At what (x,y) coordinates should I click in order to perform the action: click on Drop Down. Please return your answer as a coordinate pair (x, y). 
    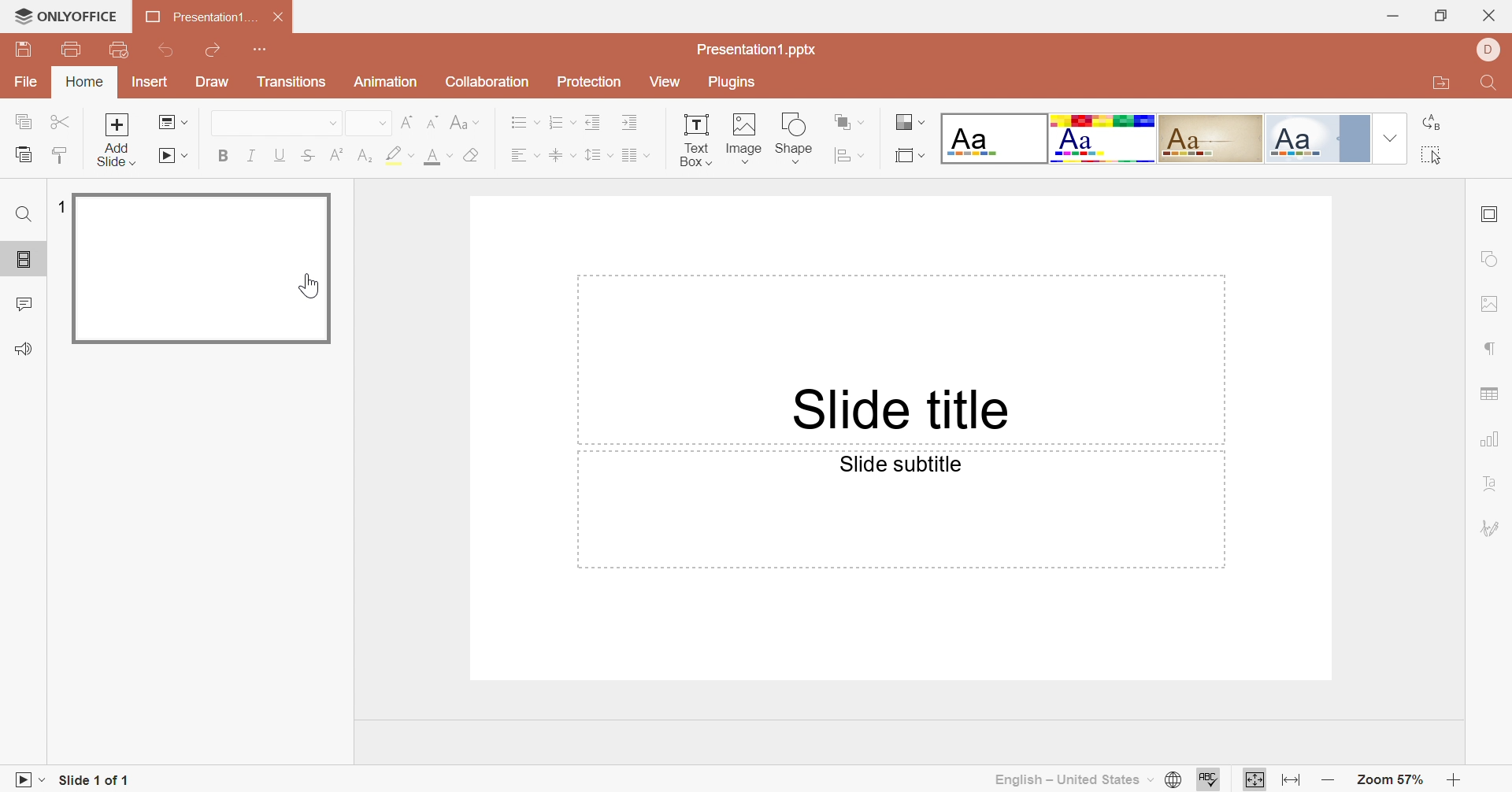
    Looking at the image, I should click on (383, 123).